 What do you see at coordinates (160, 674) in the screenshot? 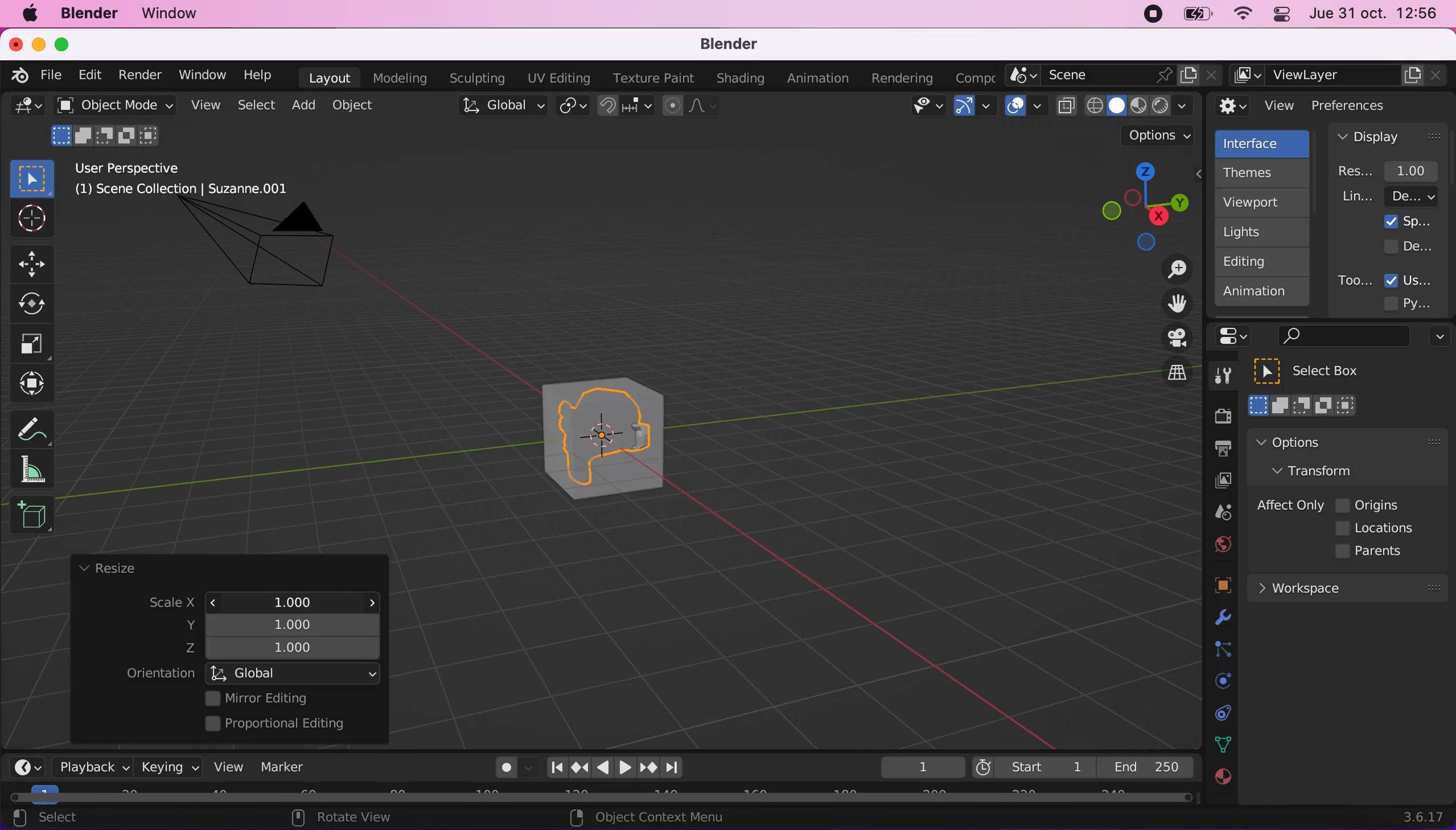
I see `orientation` at bounding box center [160, 674].